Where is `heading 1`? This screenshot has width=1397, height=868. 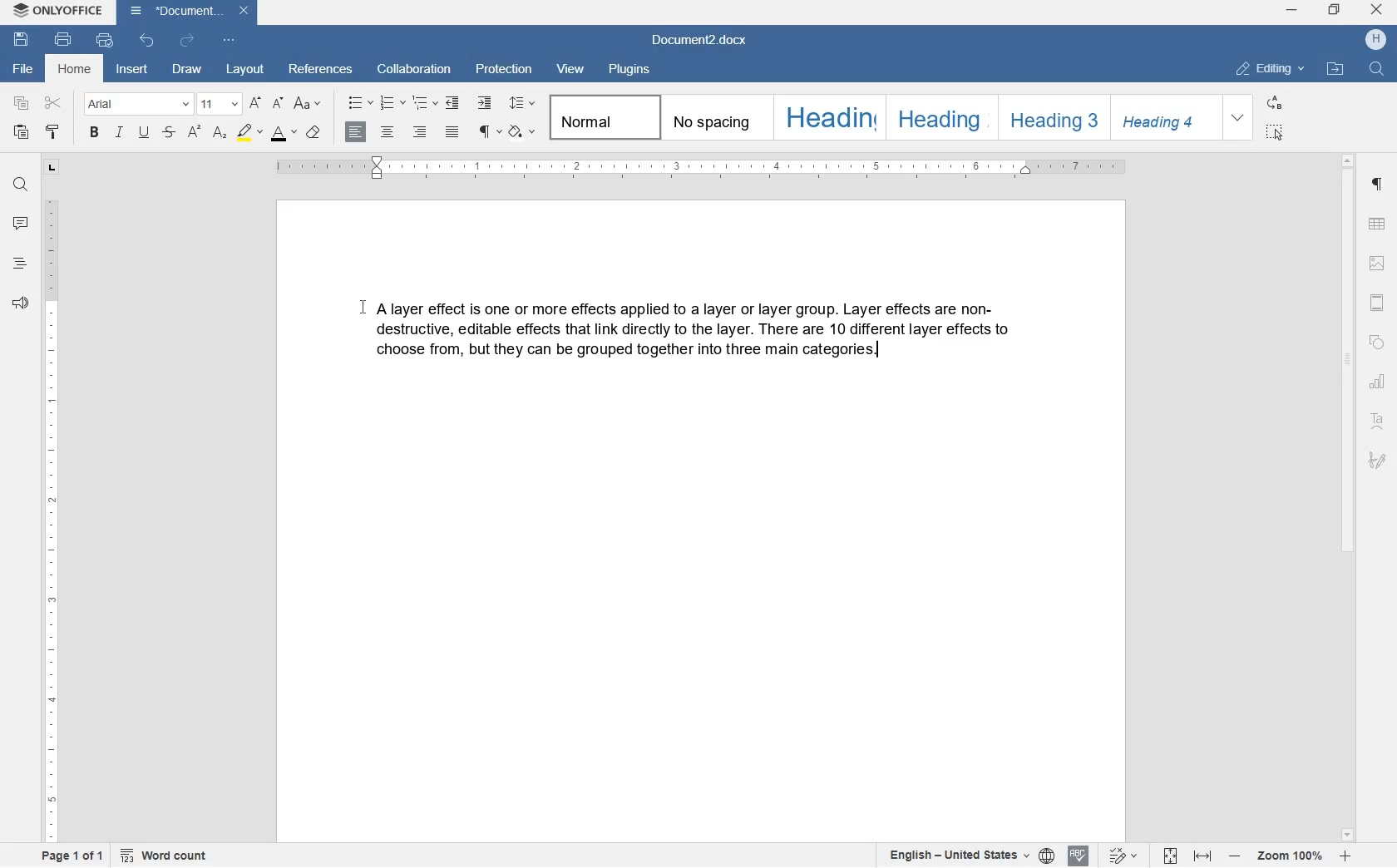
heading 1 is located at coordinates (827, 116).